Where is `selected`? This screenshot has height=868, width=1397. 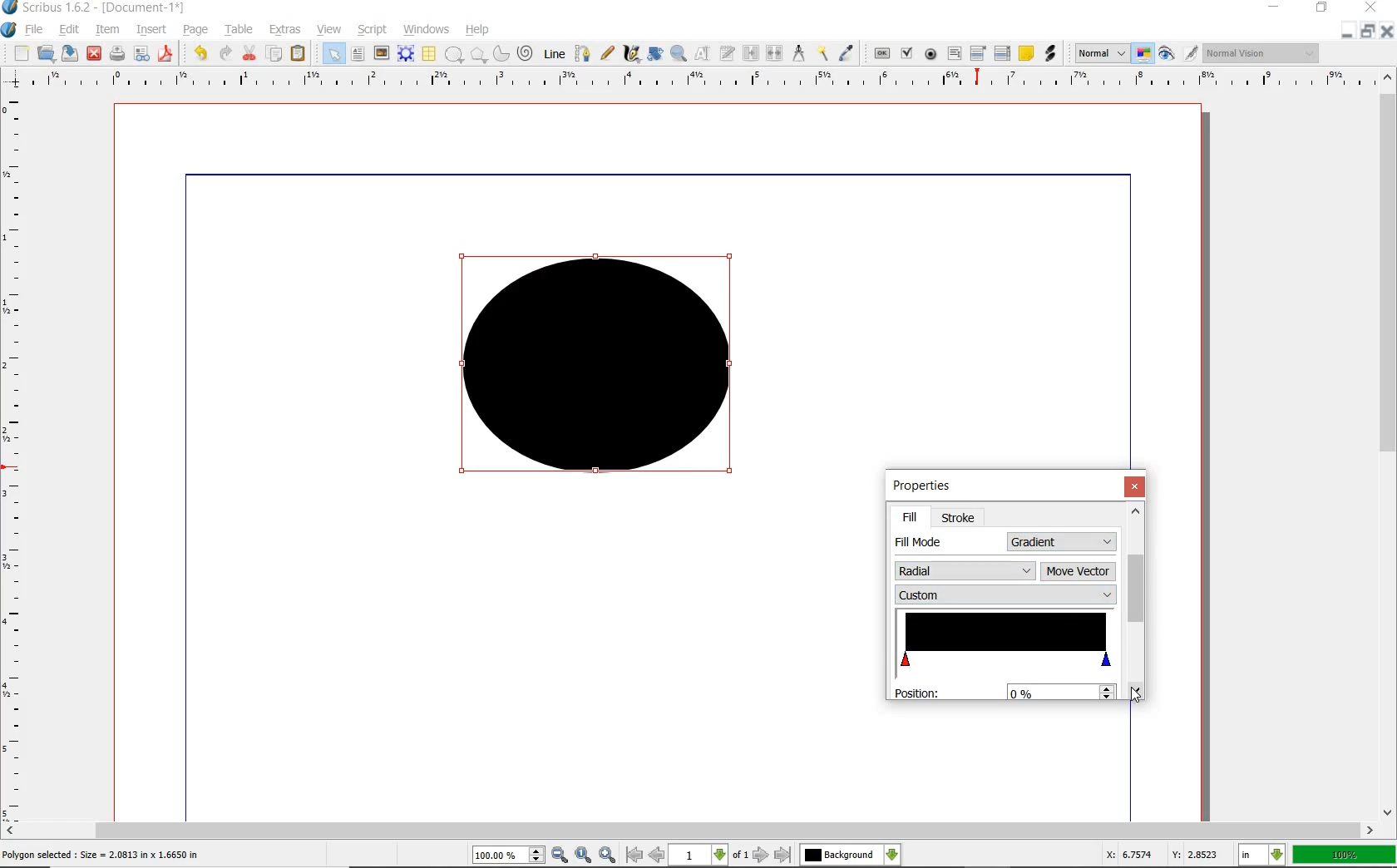
selected is located at coordinates (101, 856).